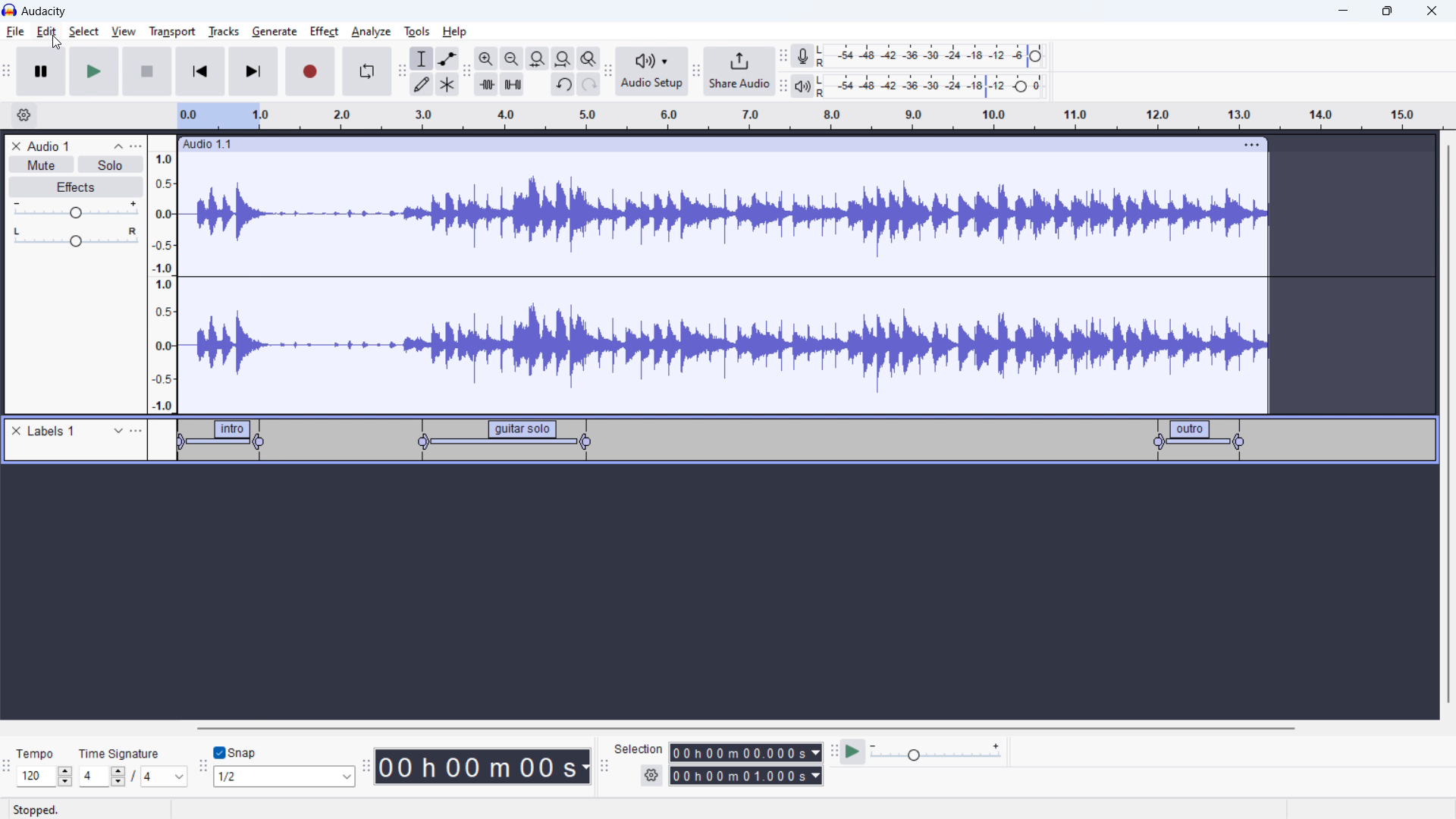 Image resolution: width=1456 pixels, height=819 pixels. Describe the element at coordinates (134, 776) in the screenshot. I see `set time signature` at that location.